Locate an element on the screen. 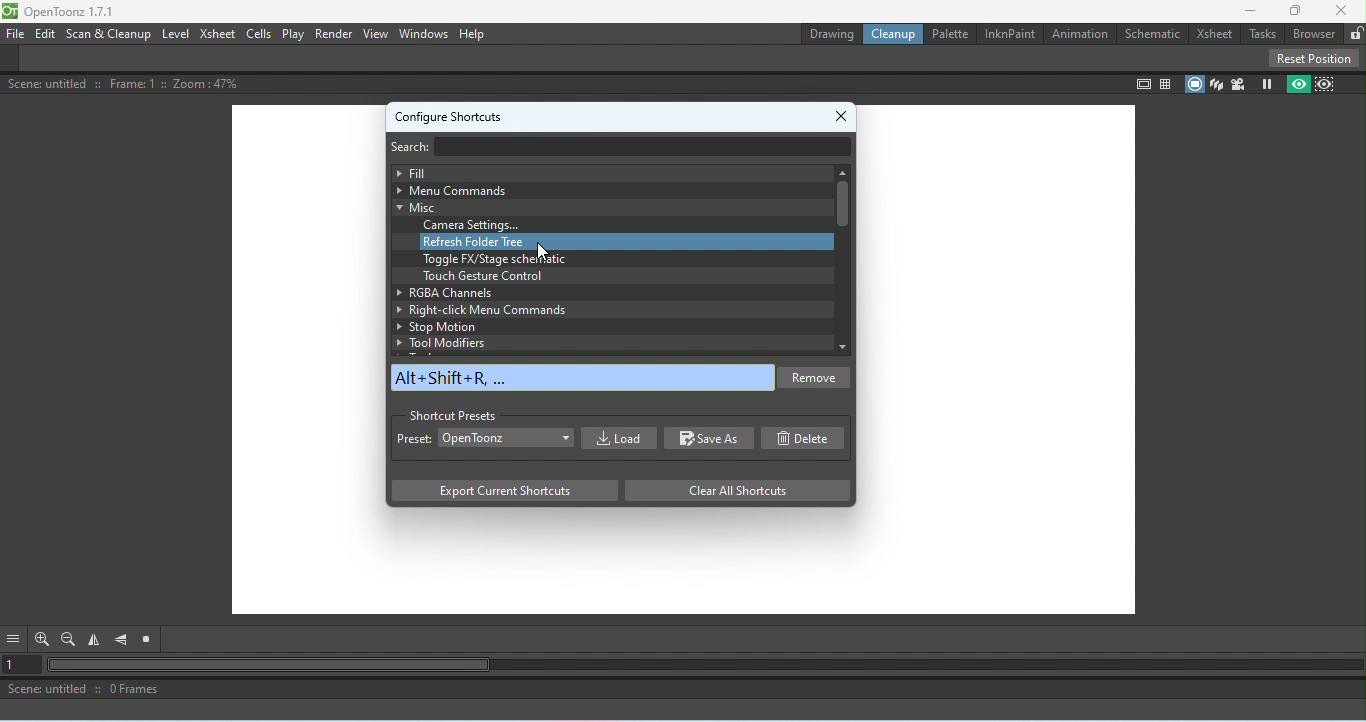 The height and width of the screenshot is (722, 1366). Level is located at coordinates (176, 34).